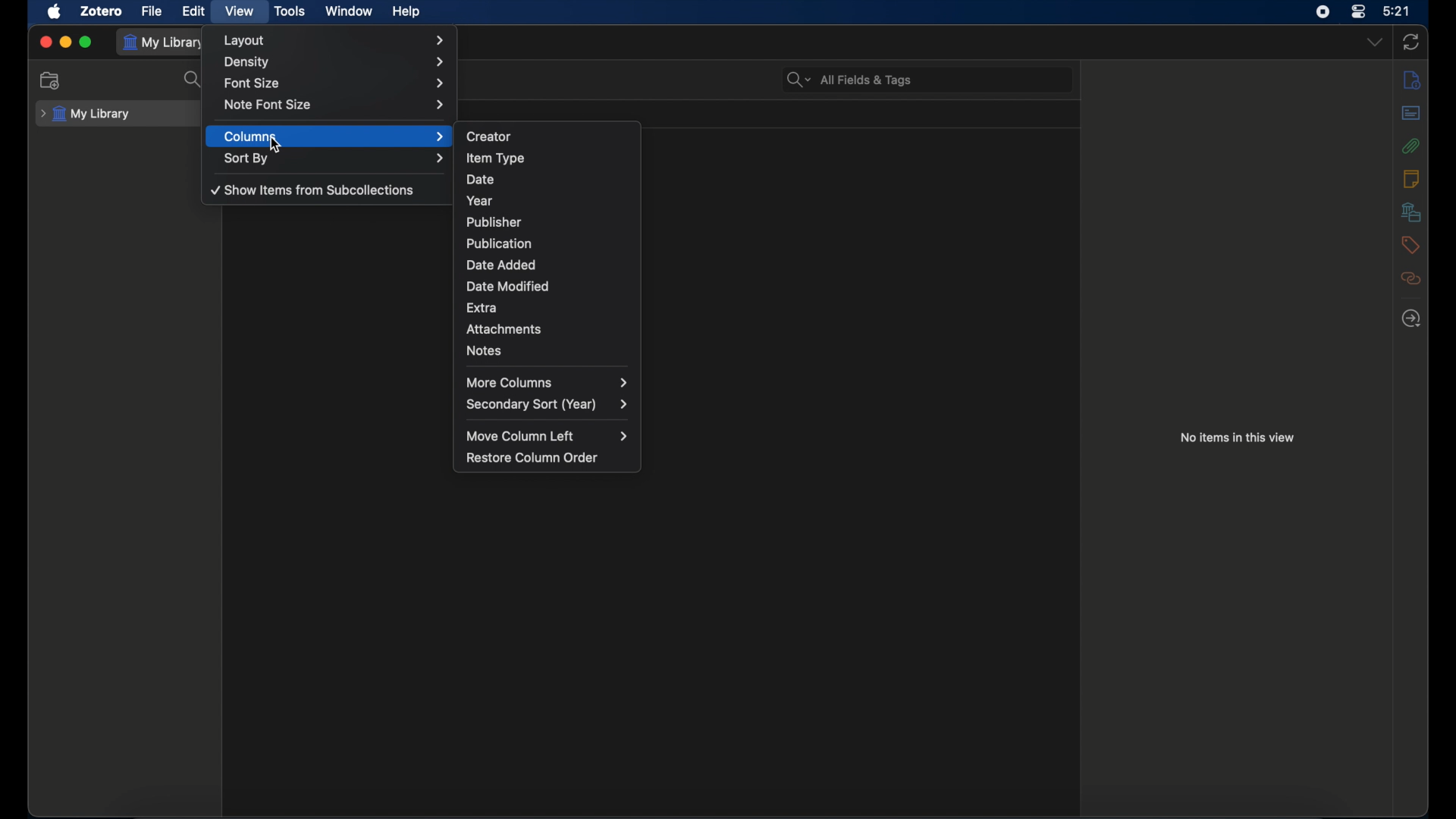 Image resolution: width=1456 pixels, height=819 pixels. Describe the element at coordinates (1359, 11) in the screenshot. I see `control center` at that location.